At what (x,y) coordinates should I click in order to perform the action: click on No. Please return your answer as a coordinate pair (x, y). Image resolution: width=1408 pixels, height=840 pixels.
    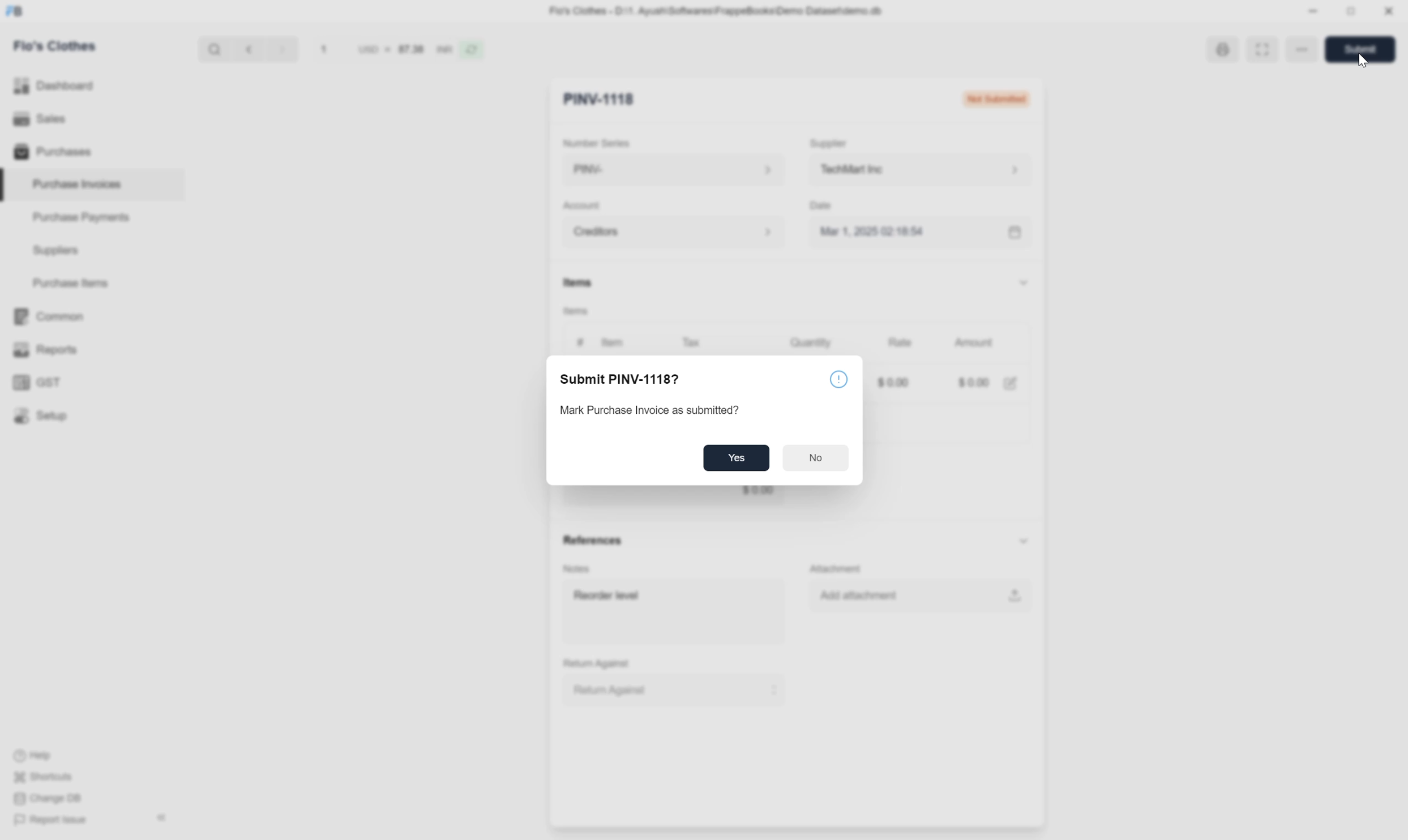
    Looking at the image, I should click on (816, 457).